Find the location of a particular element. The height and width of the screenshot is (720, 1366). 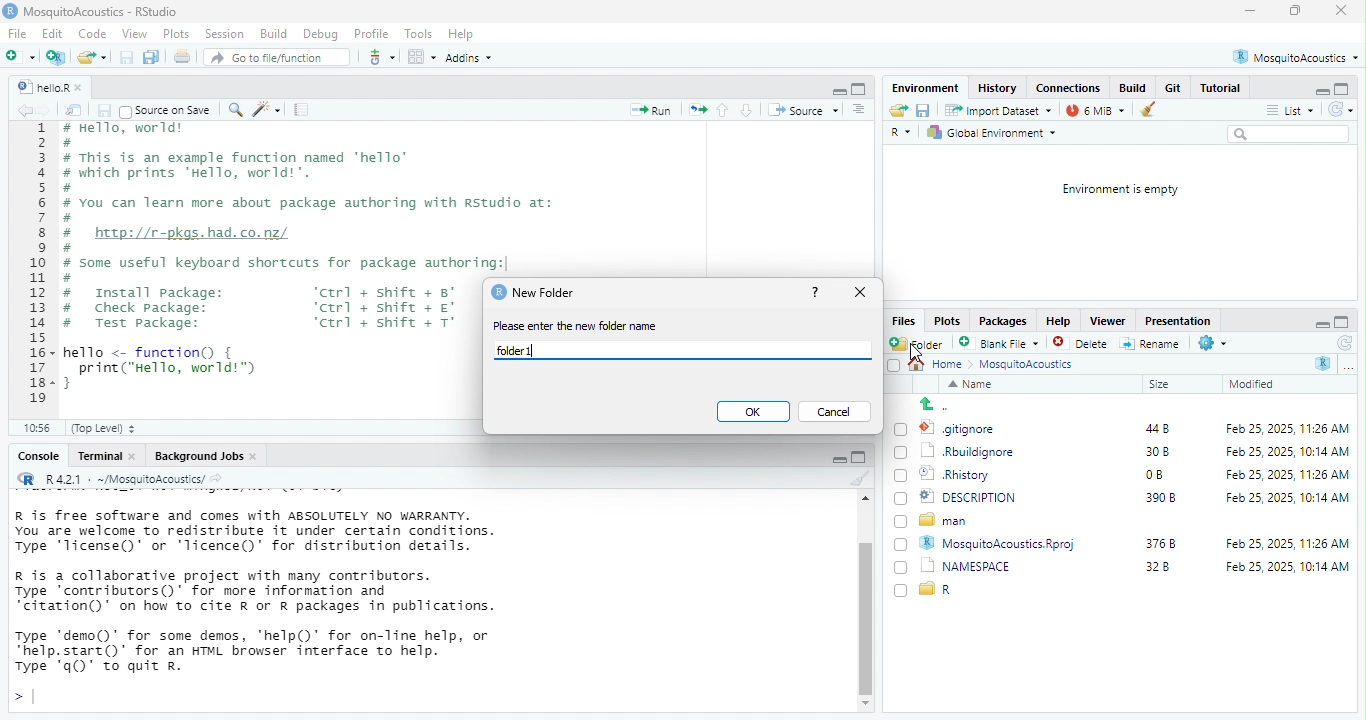

 Environment is located at coordinates (926, 87).